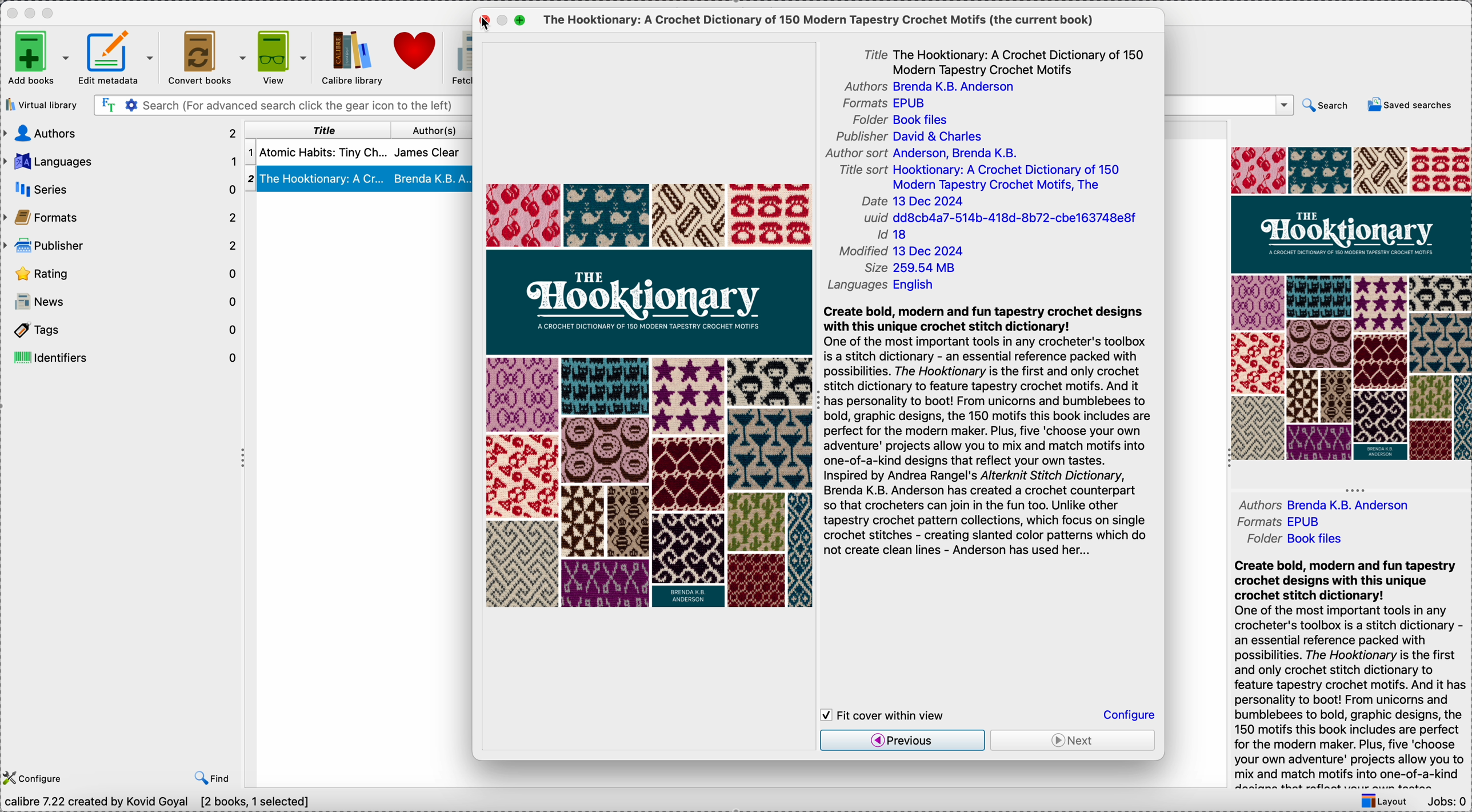 The image size is (1472, 812). I want to click on formats, so click(119, 216).